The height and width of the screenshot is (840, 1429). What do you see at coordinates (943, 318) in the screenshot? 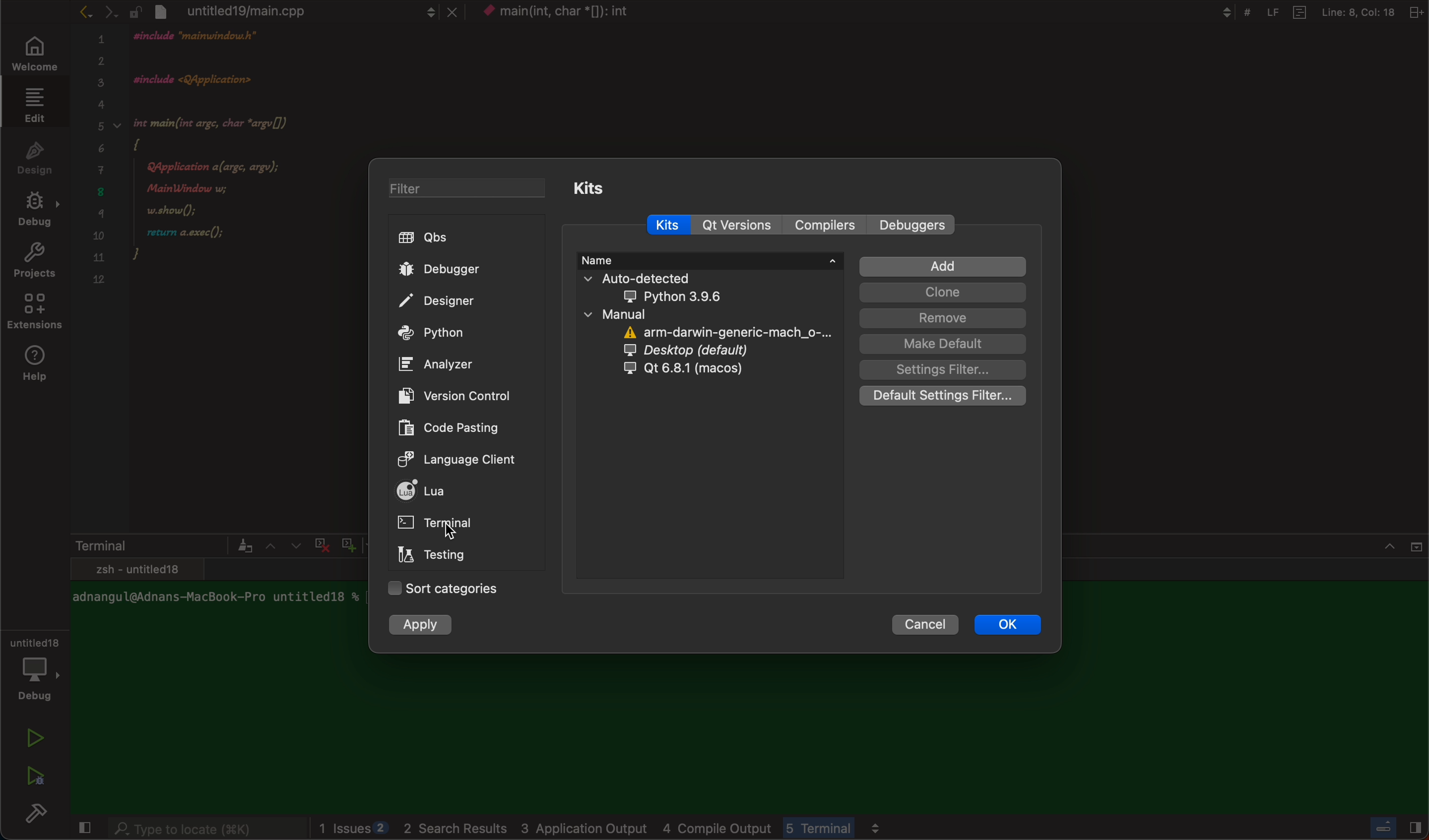
I see `remove` at bounding box center [943, 318].